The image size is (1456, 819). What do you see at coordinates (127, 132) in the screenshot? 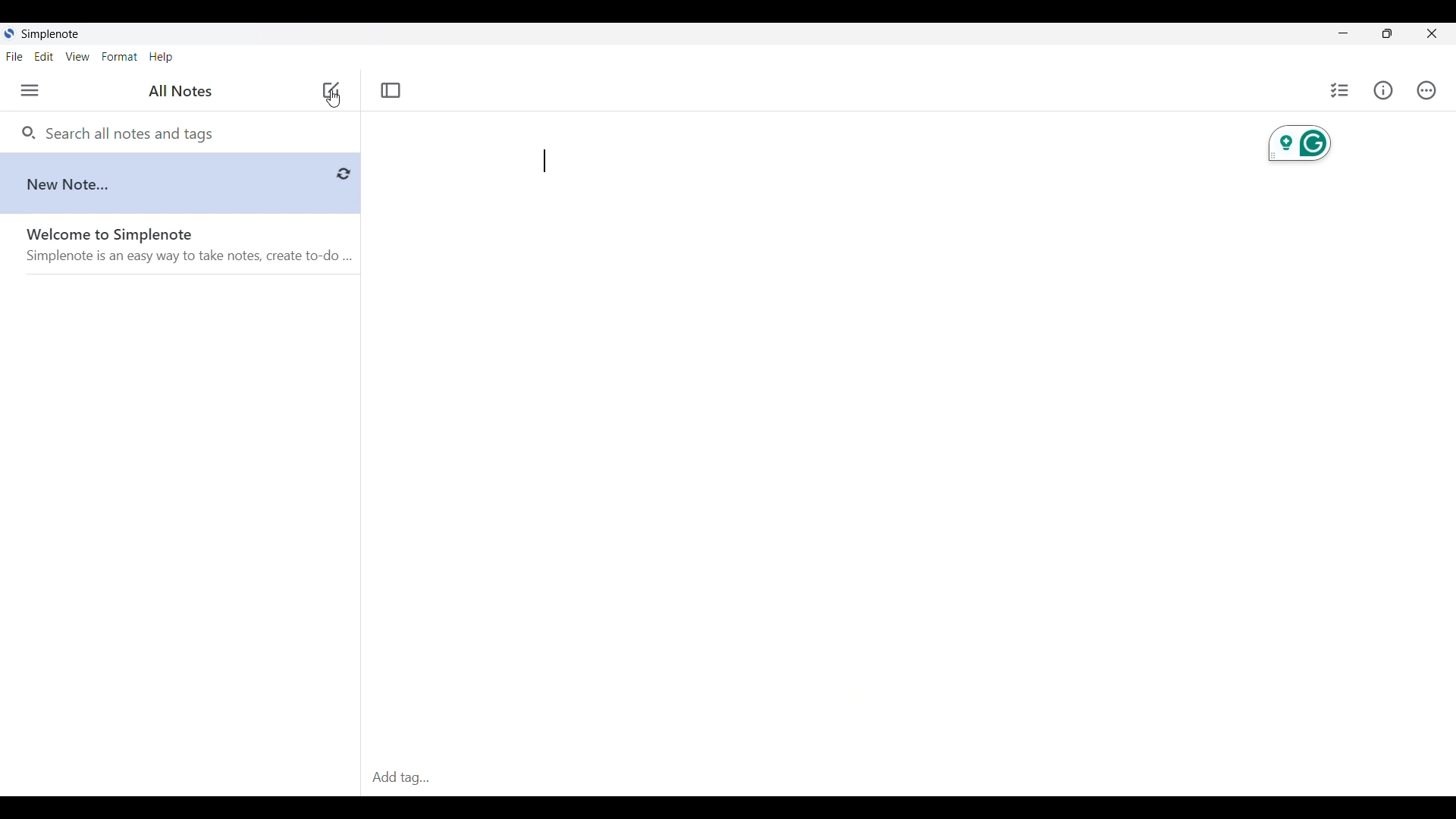
I see `Search all notes and tags` at bounding box center [127, 132].